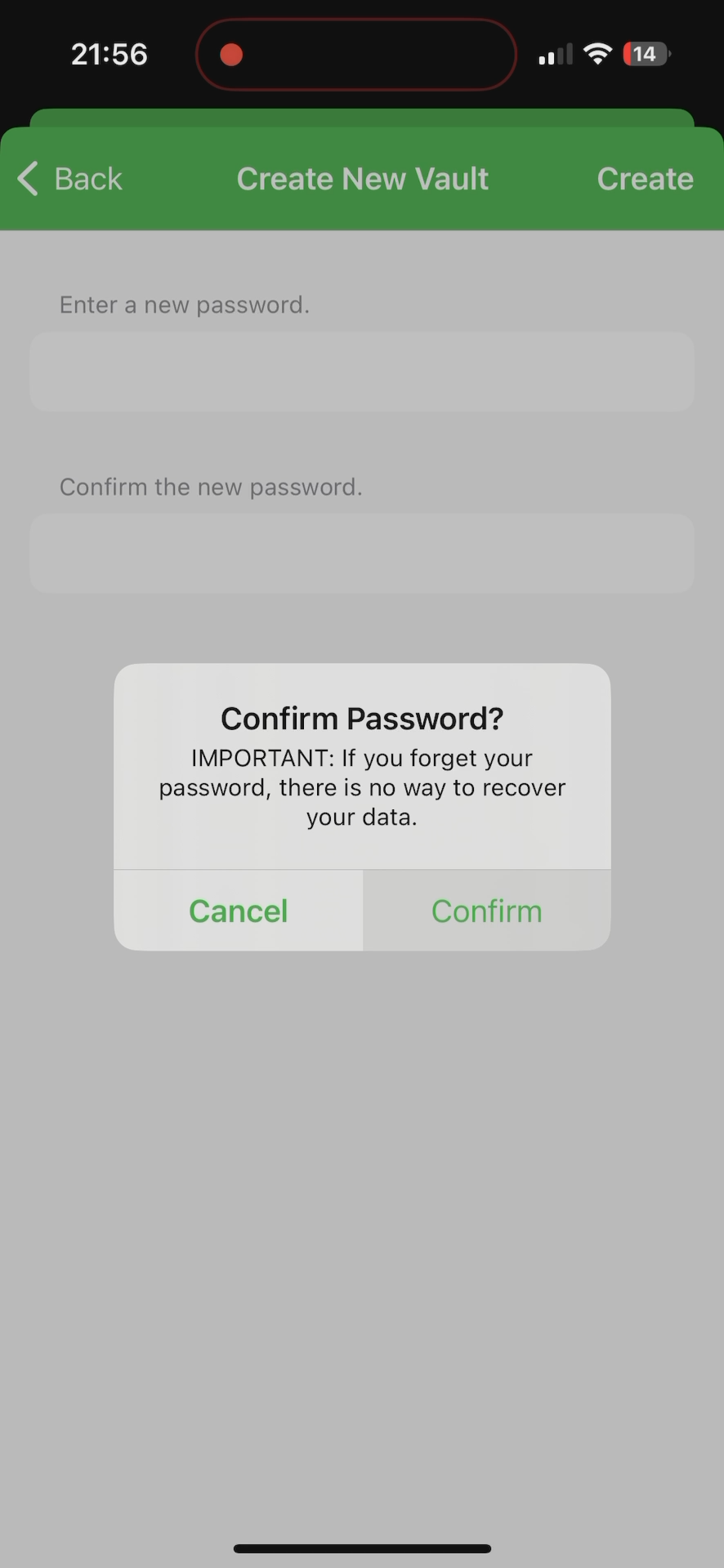 Image resolution: width=724 pixels, height=1568 pixels. Describe the element at coordinates (107, 57) in the screenshot. I see `21:56` at that location.